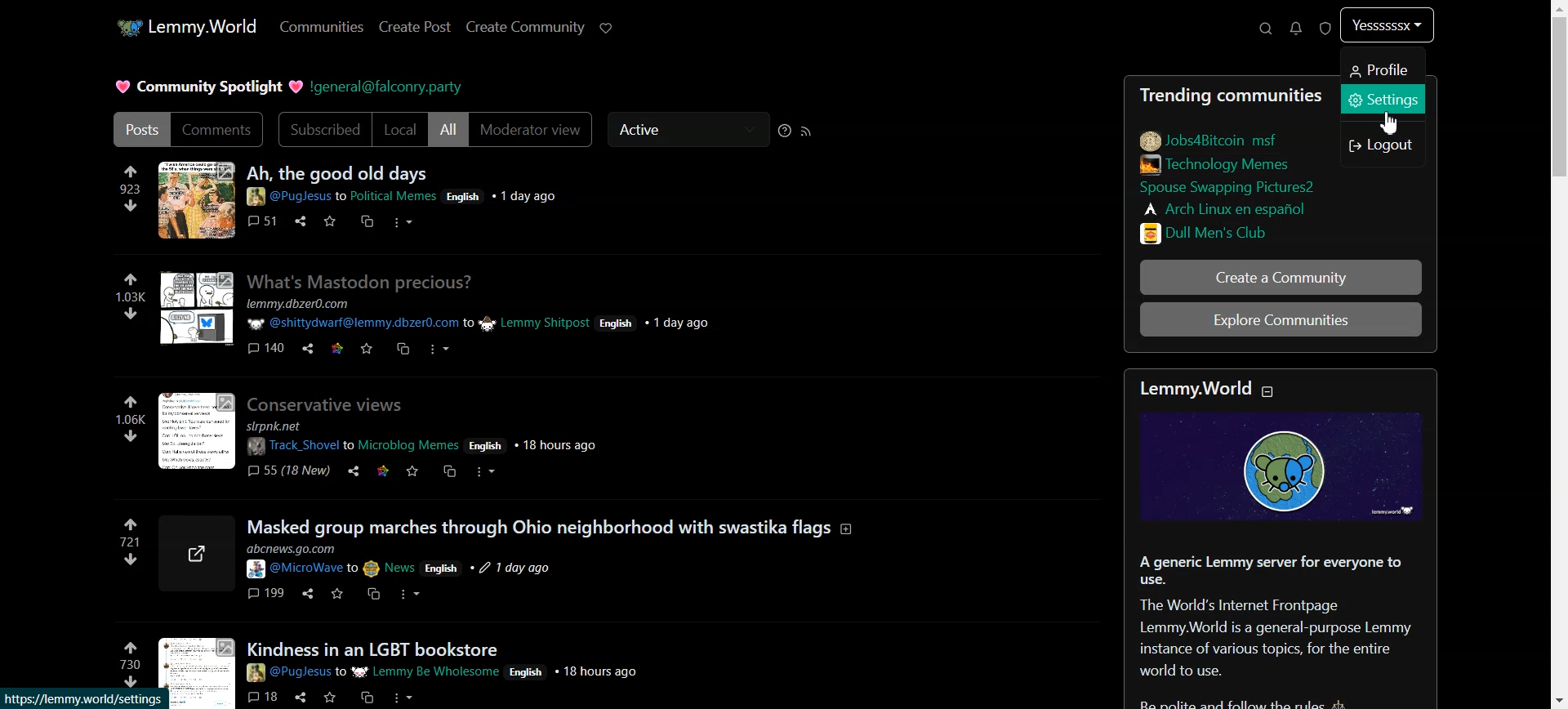 The width and height of the screenshot is (1568, 709). Describe the element at coordinates (128, 296) in the screenshot. I see `numbers` at that location.